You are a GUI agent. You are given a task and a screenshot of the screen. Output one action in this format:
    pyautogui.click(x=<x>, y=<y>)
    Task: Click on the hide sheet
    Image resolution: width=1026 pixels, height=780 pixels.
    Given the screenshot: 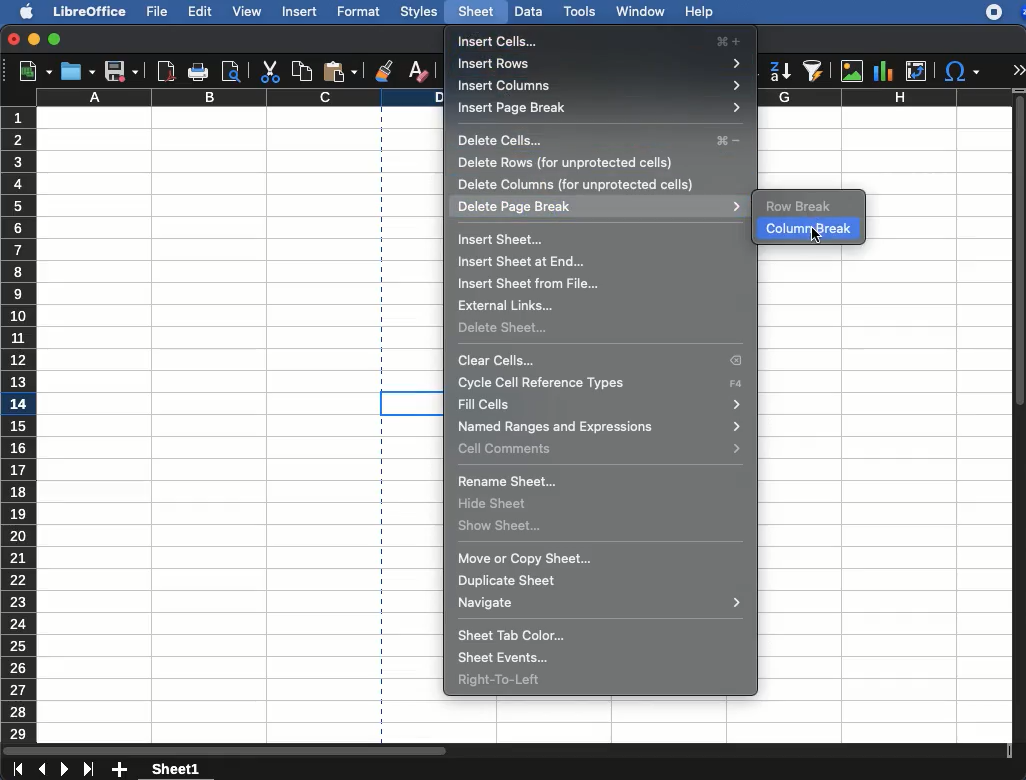 What is the action you would take?
    pyautogui.click(x=496, y=504)
    